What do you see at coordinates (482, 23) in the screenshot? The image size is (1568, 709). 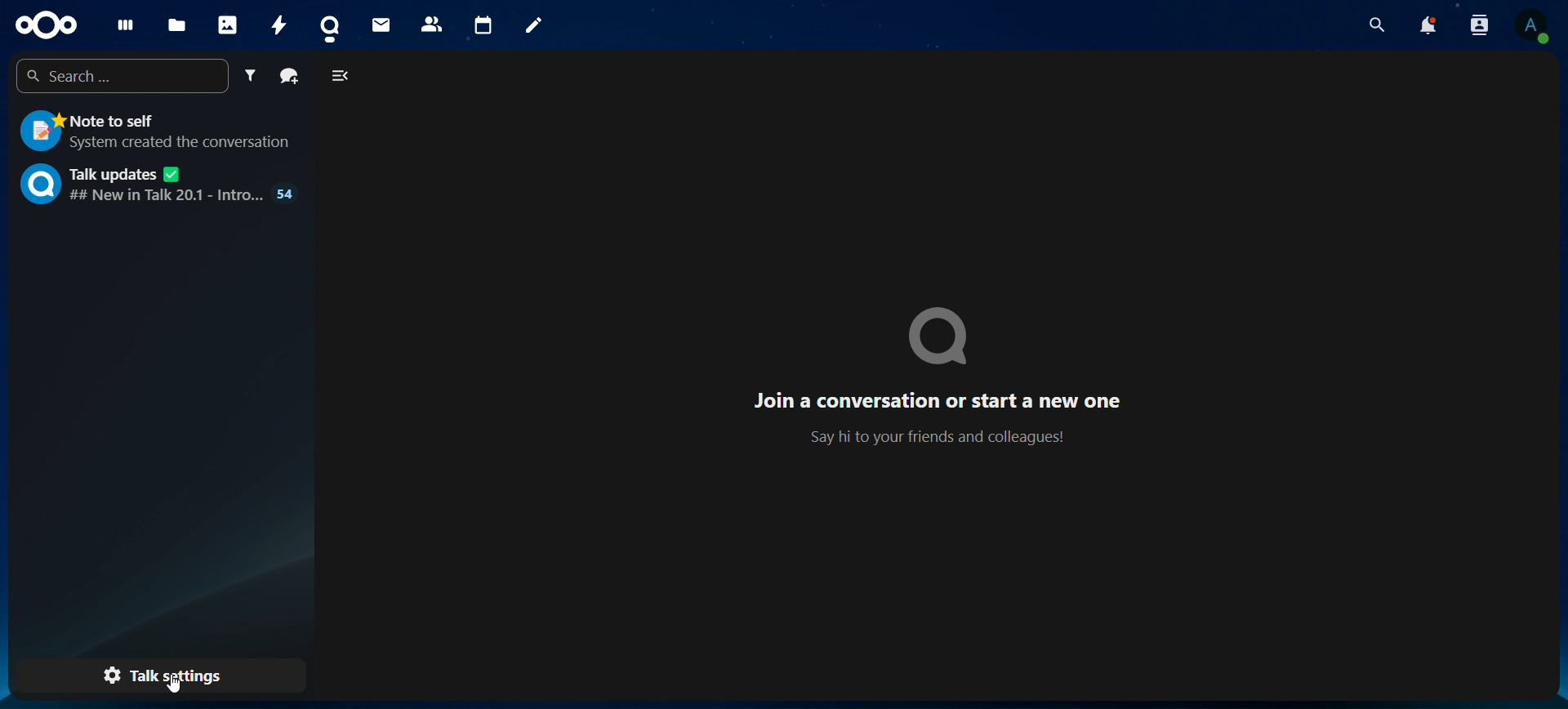 I see `calendar` at bounding box center [482, 23].